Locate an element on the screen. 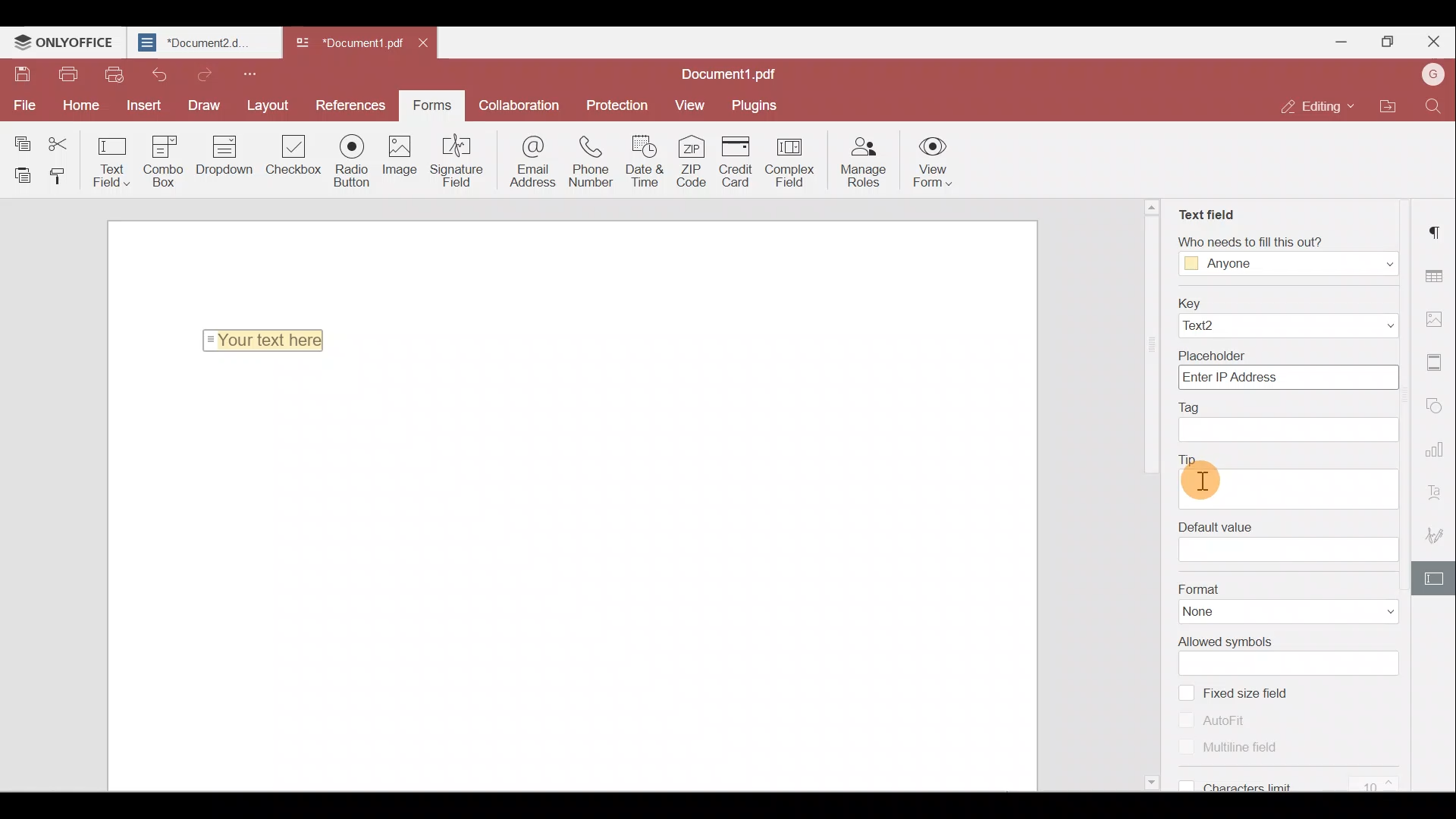 The height and width of the screenshot is (819, 1456). File is located at coordinates (23, 104).